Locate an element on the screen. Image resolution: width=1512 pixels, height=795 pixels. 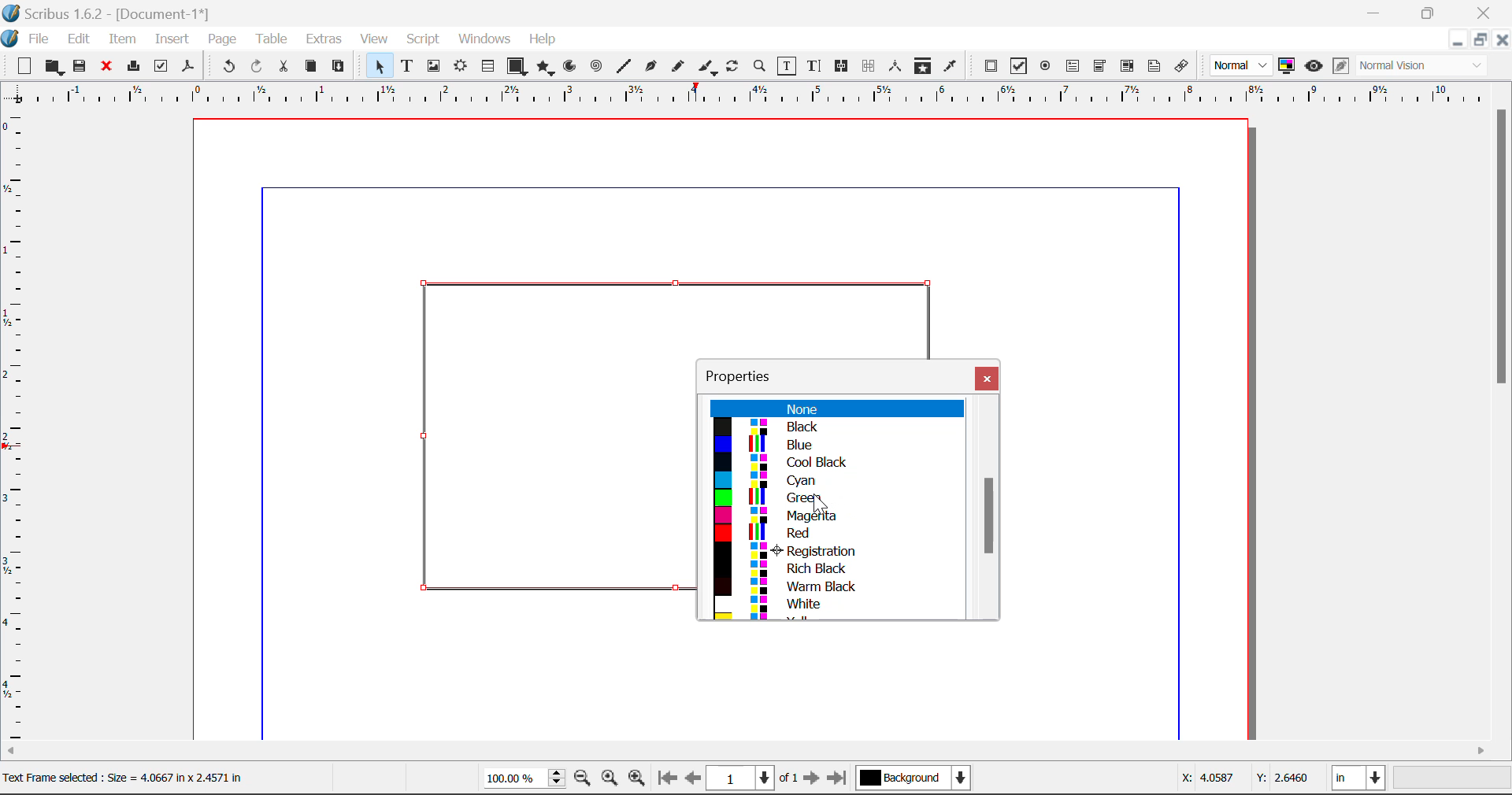
Measurement Units is located at coordinates (1360, 780).